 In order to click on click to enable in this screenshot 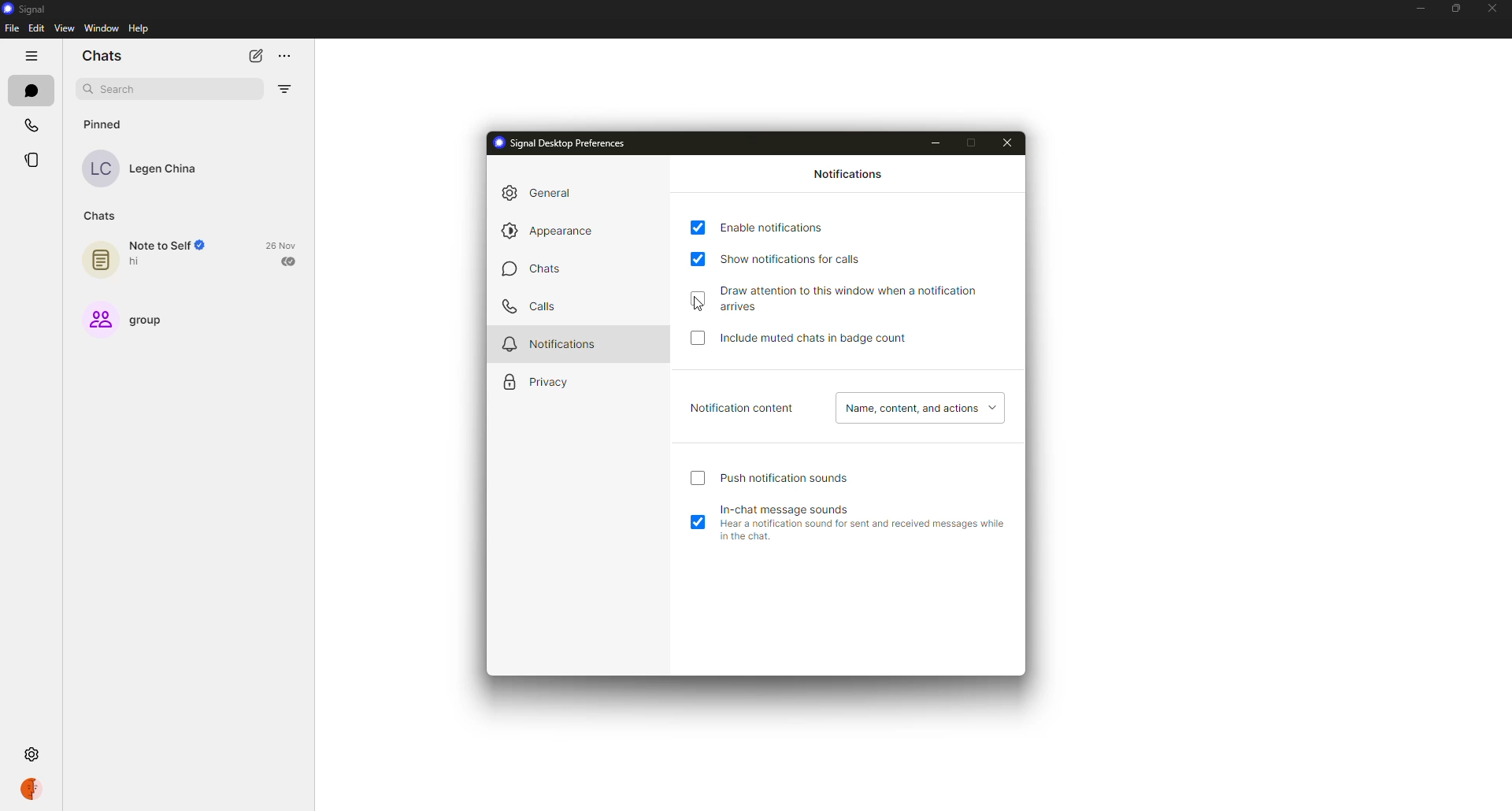, I will do `click(699, 343)`.